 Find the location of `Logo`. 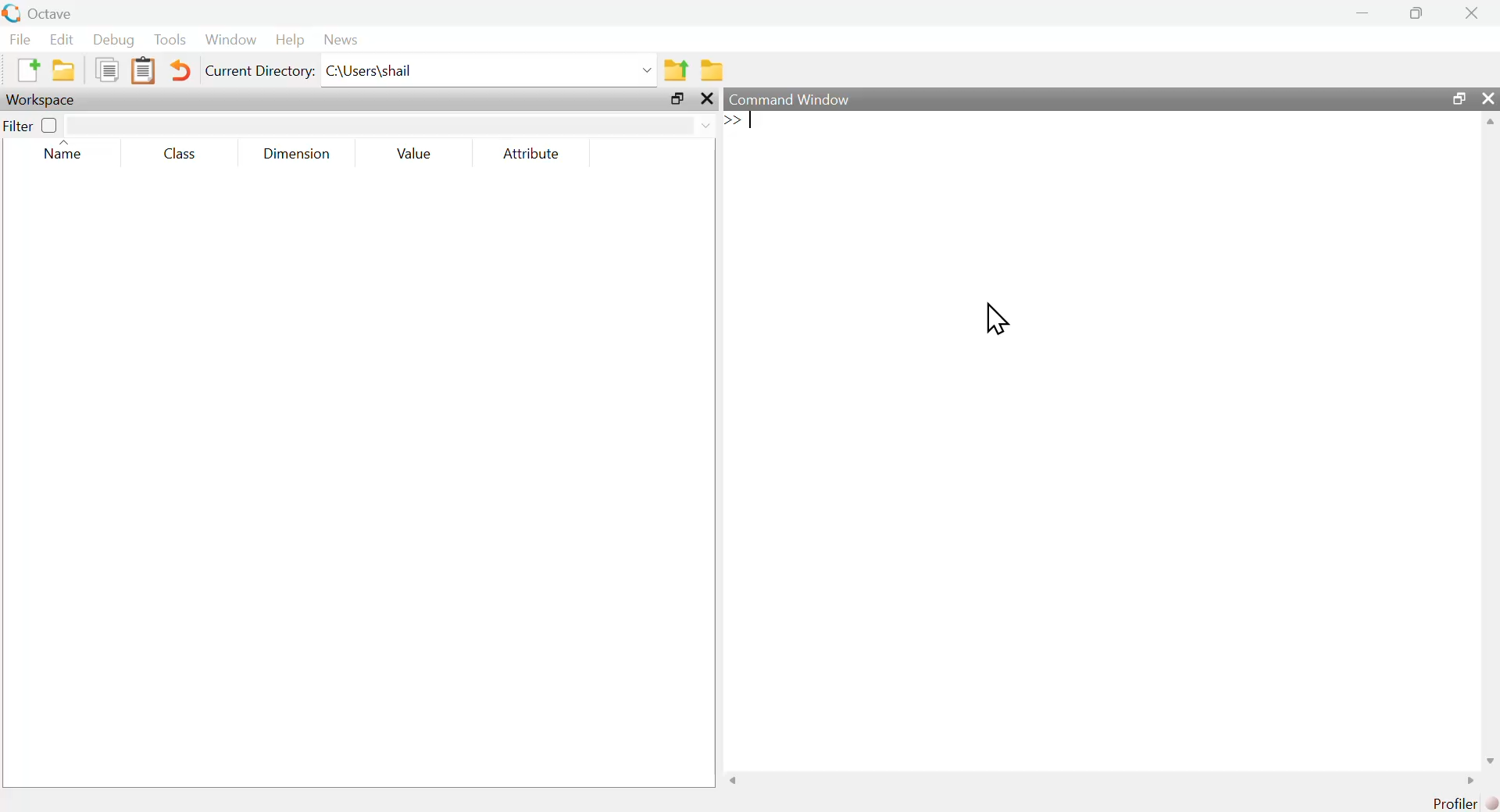

Logo is located at coordinates (11, 13).